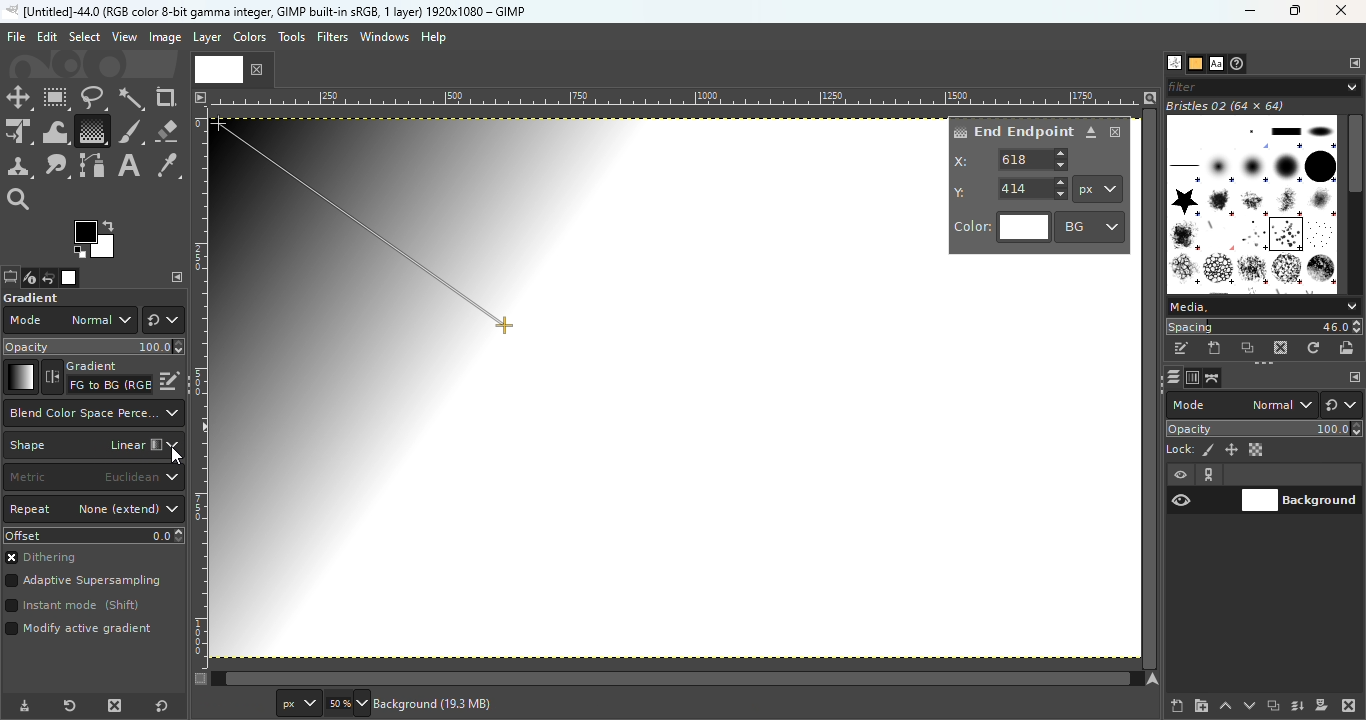 The width and height of the screenshot is (1366, 720). What do you see at coordinates (9, 279) in the screenshot?
I see `Open the tools option dialog` at bounding box center [9, 279].